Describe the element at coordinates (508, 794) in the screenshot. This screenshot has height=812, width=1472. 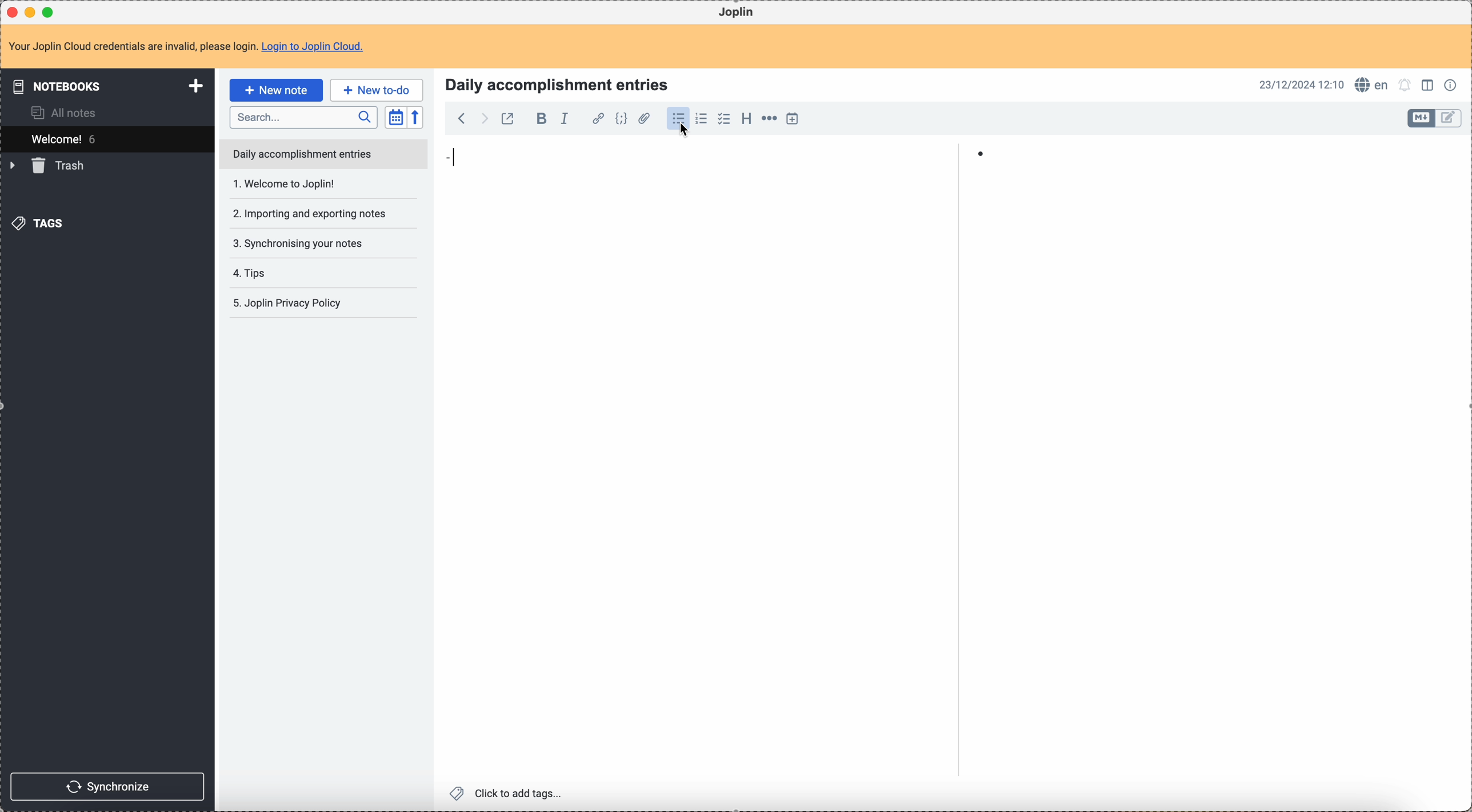
I see `click to add tags` at that location.